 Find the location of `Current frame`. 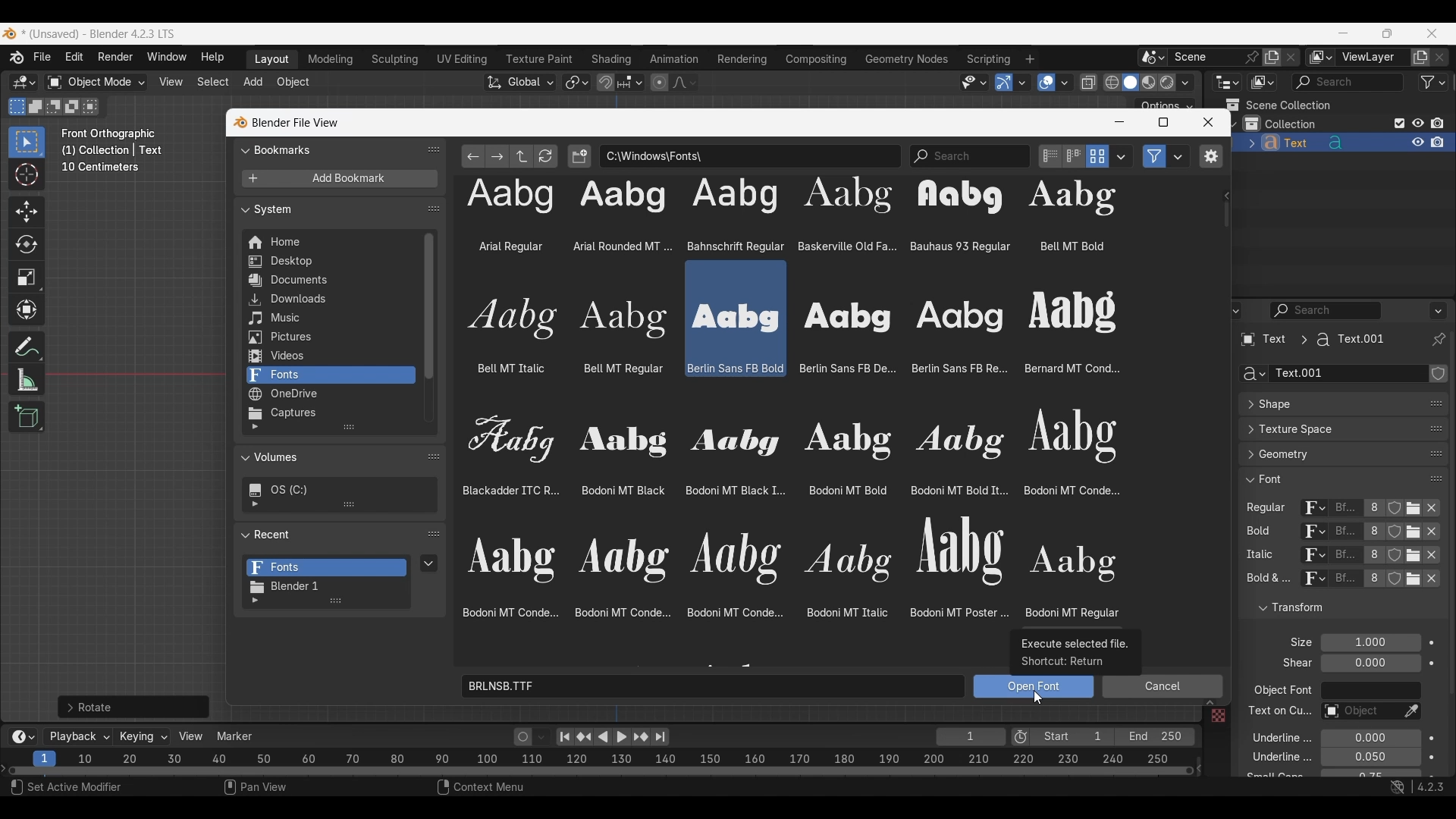

Current frame is located at coordinates (971, 738).